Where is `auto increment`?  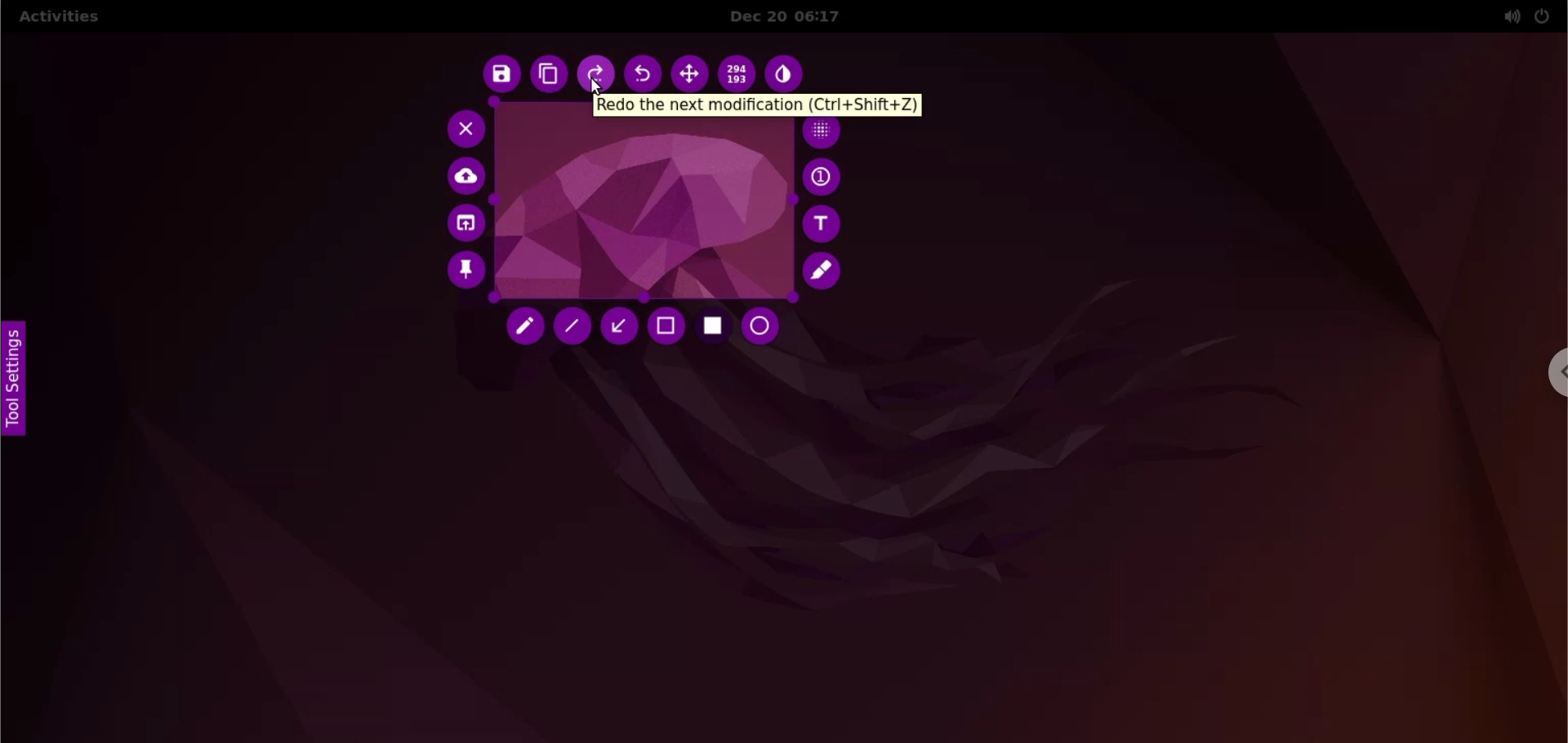
auto increment is located at coordinates (824, 176).